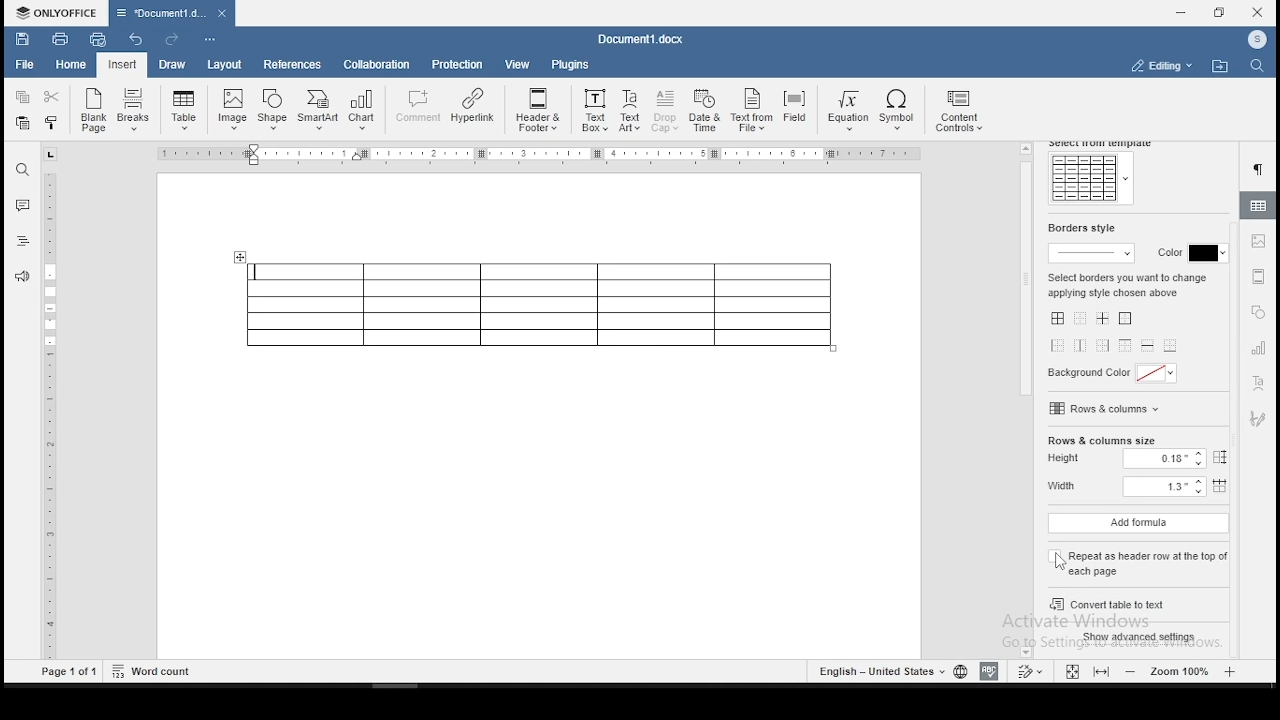  Describe the element at coordinates (629, 112) in the screenshot. I see `TextArt` at that location.